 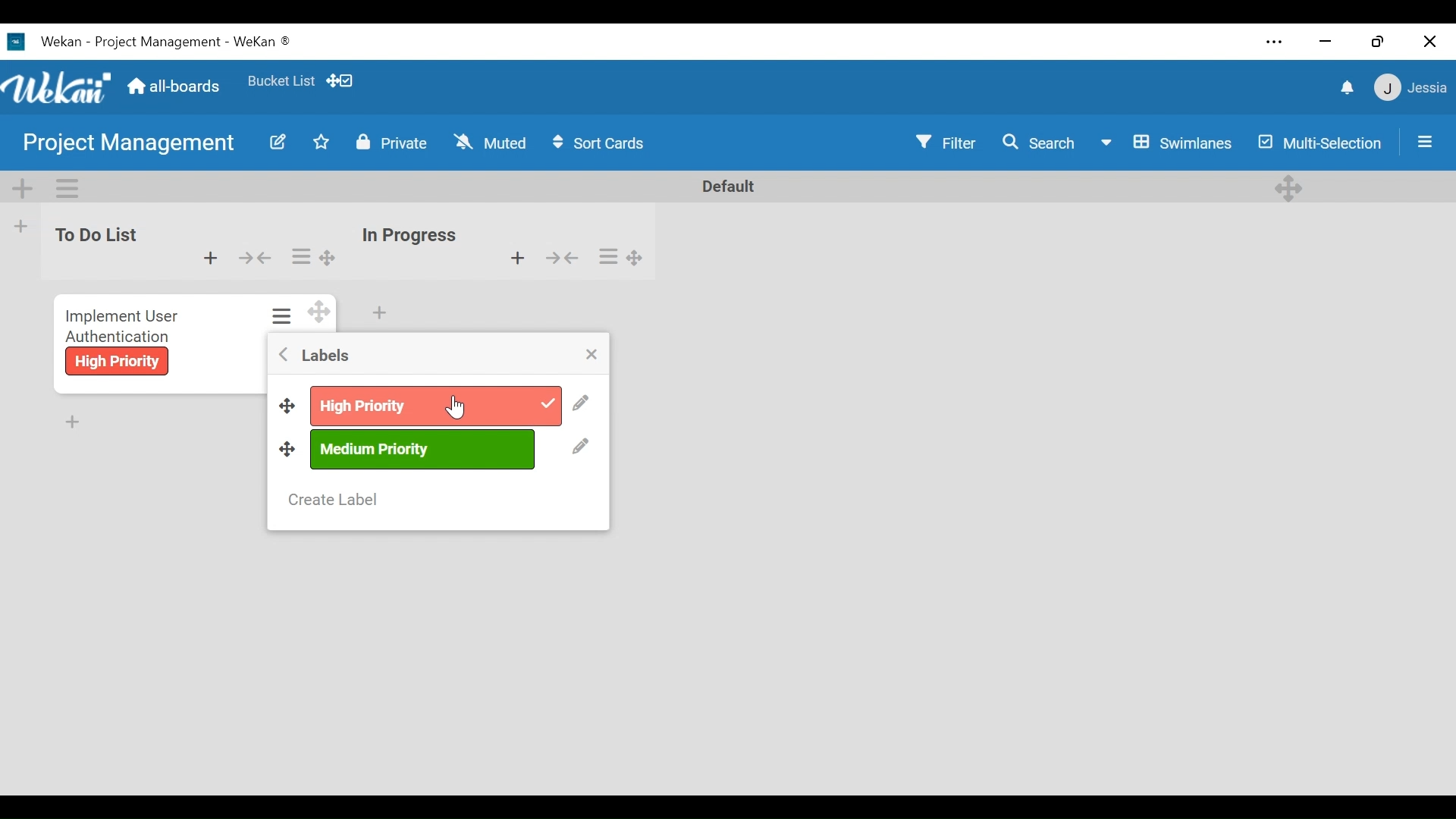 What do you see at coordinates (491, 143) in the screenshot?
I see `\ Muted` at bounding box center [491, 143].